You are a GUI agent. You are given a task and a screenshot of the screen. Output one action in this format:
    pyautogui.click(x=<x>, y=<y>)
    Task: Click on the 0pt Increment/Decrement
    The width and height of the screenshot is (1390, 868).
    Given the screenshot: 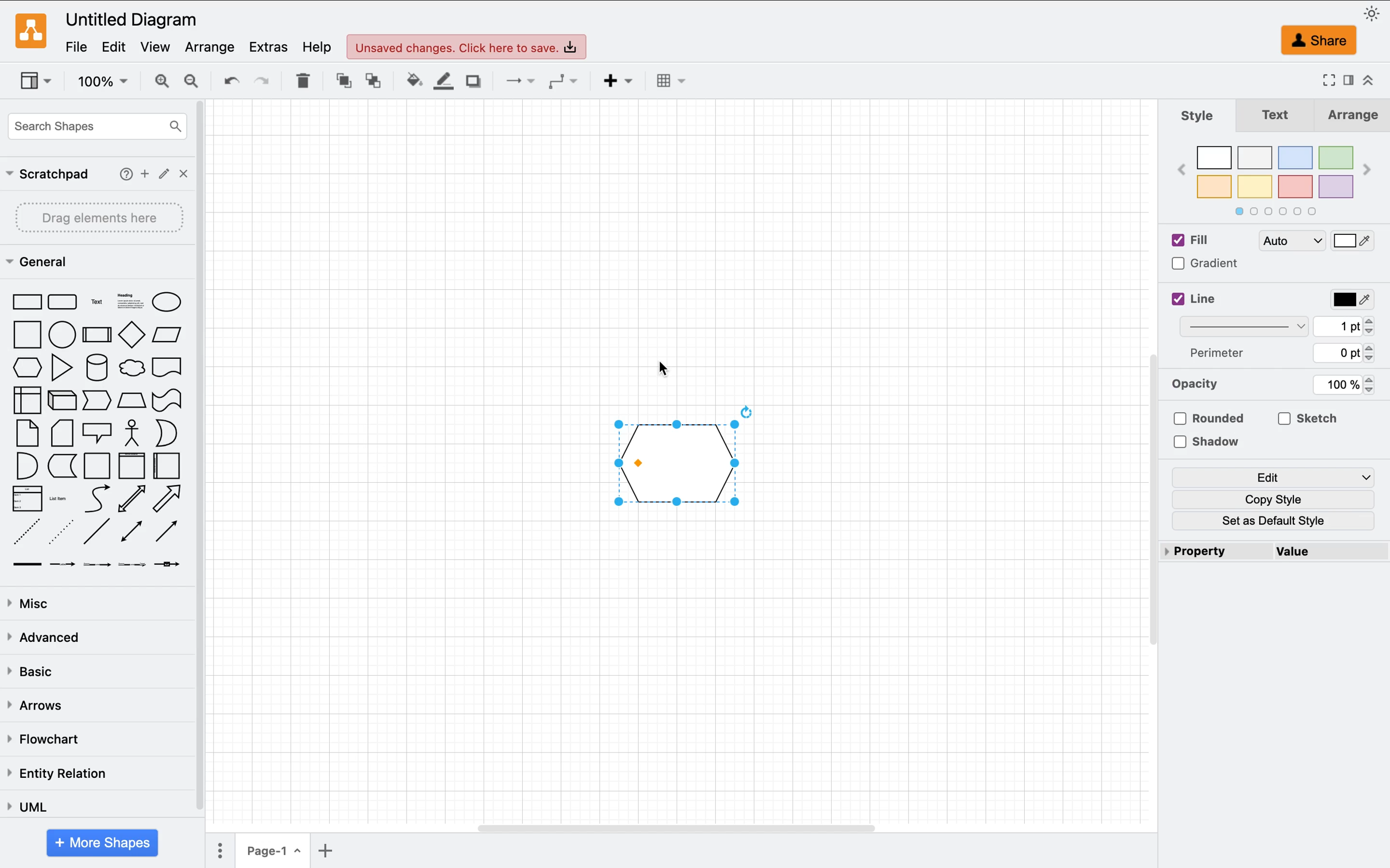 What is the action you would take?
    pyautogui.click(x=1352, y=355)
    